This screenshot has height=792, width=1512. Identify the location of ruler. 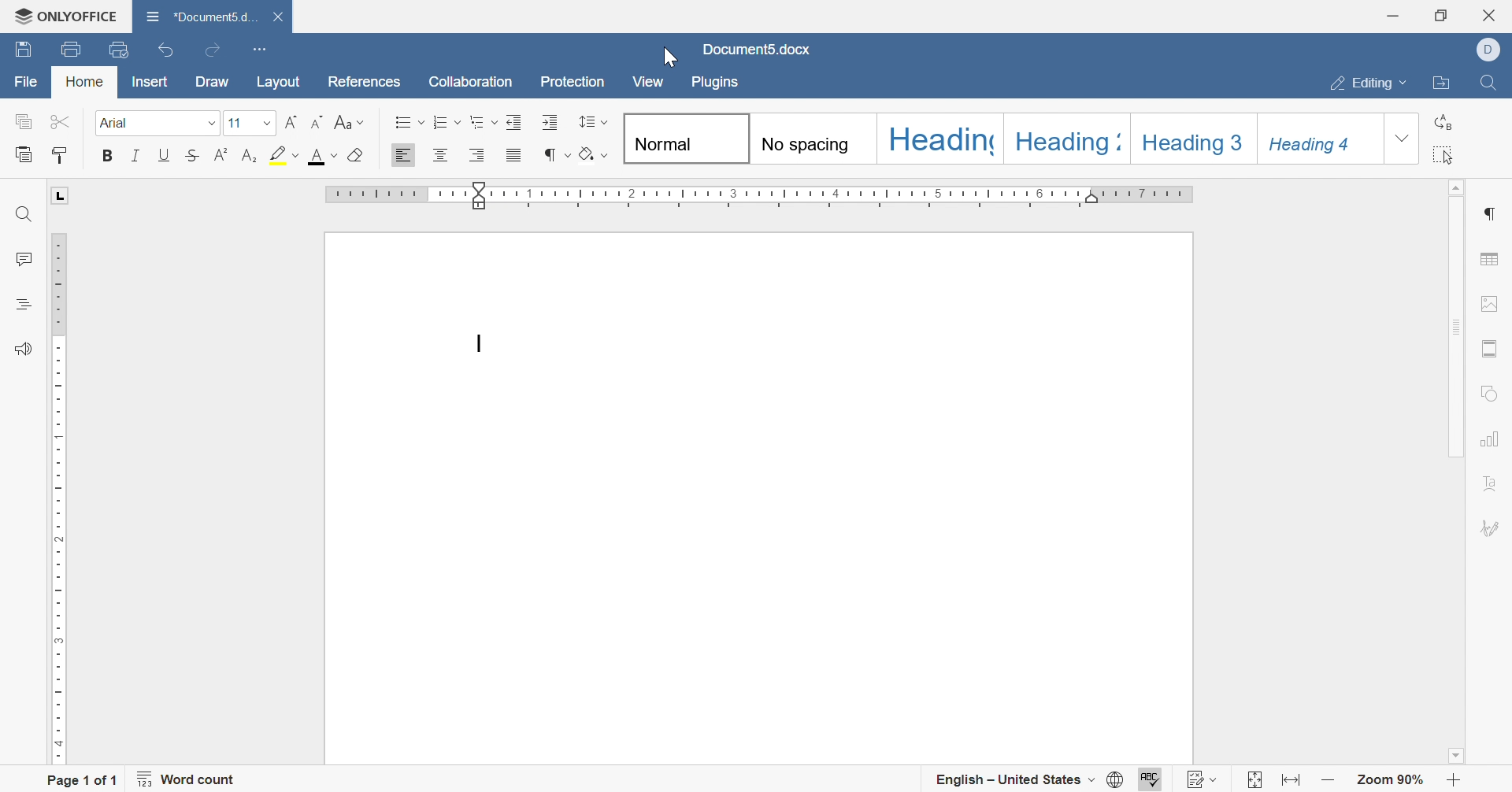
(55, 495).